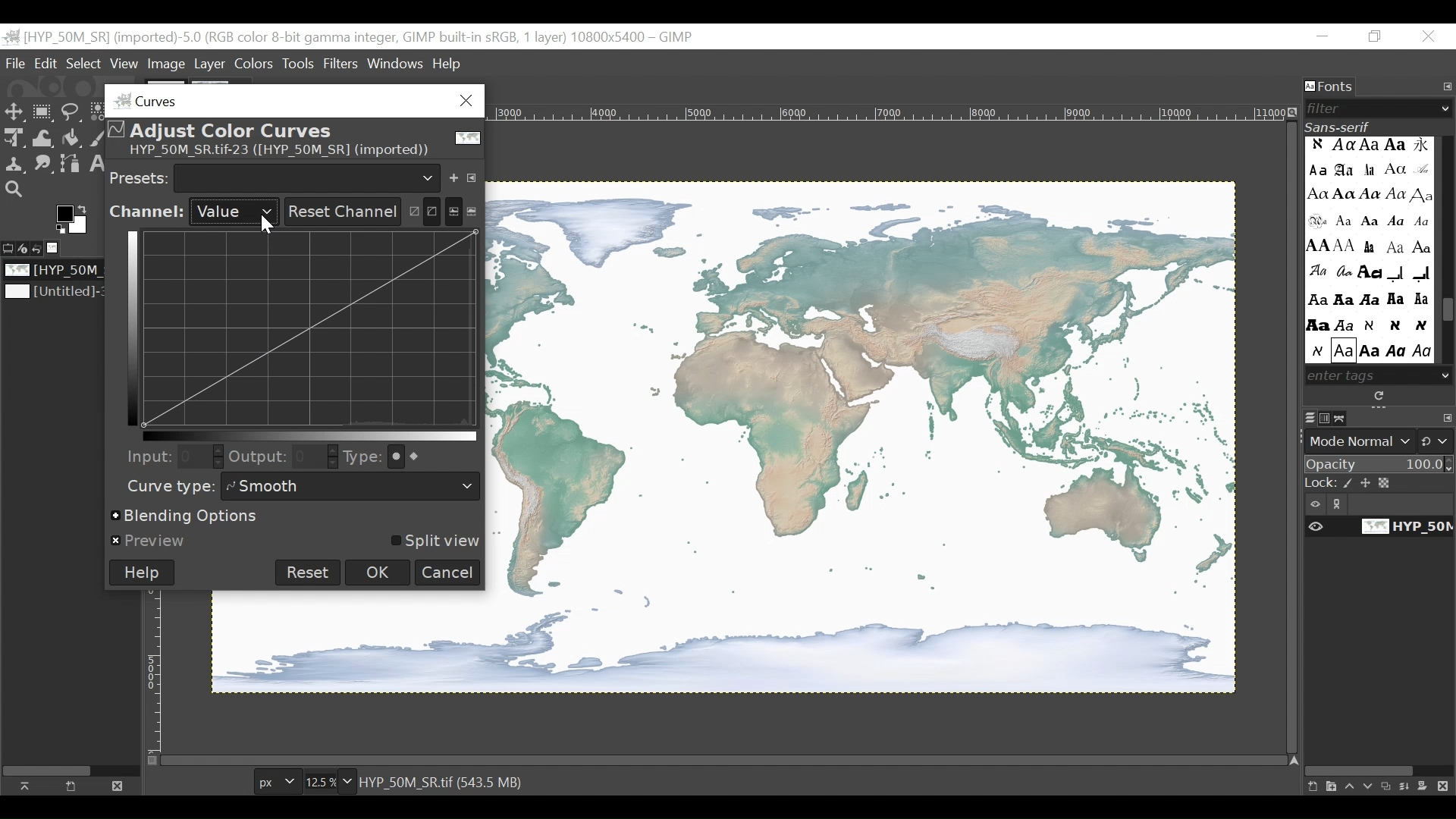 The height and width of the screenshot is (819, 1456). What do you see at coordinates (71, 165) in the screenshot?
I see `Paths Tool` at bounding box center [71, 165].